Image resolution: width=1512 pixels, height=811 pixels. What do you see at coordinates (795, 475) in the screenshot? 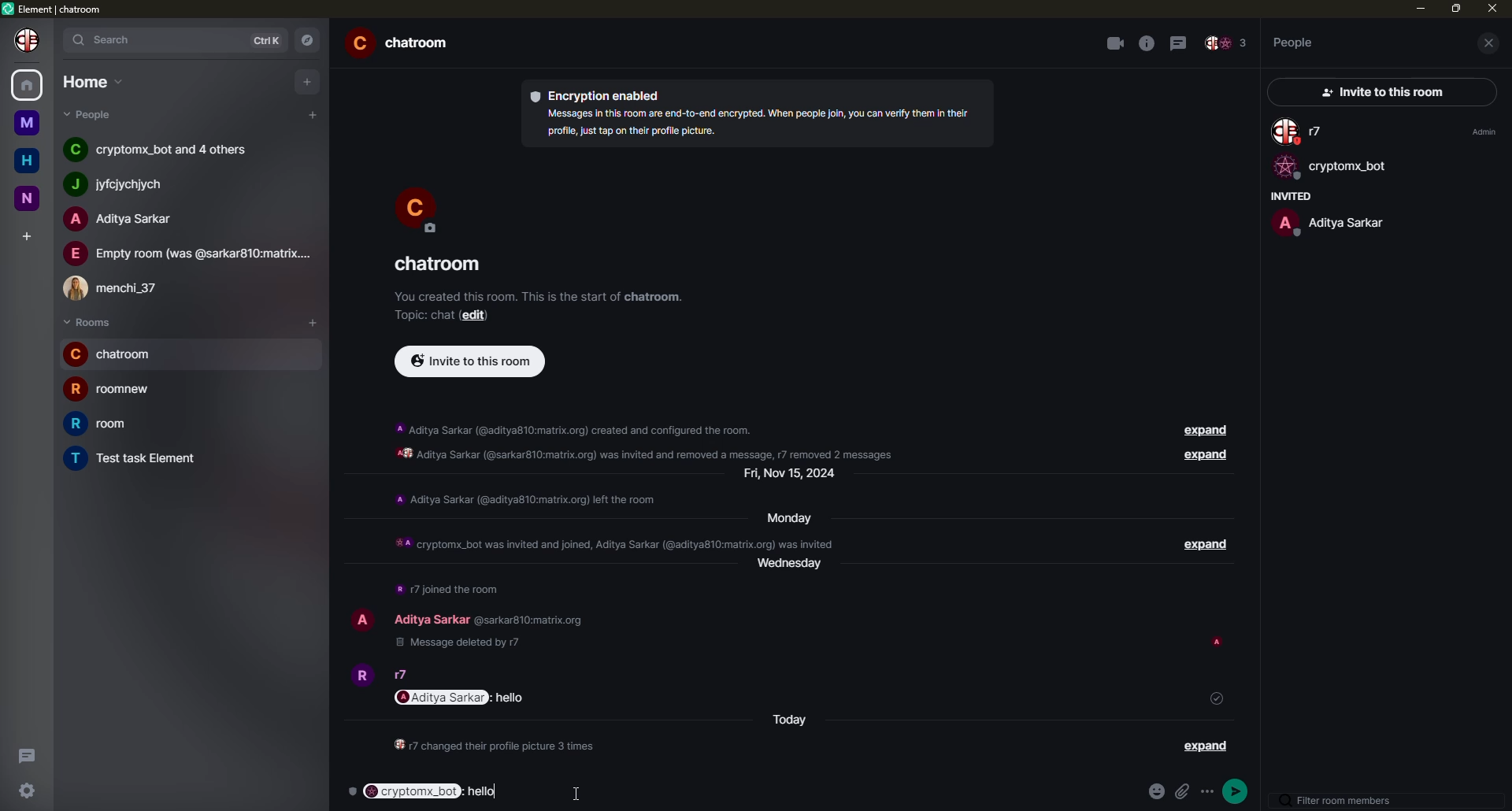
I see `day` at bounding box center [795, 475].